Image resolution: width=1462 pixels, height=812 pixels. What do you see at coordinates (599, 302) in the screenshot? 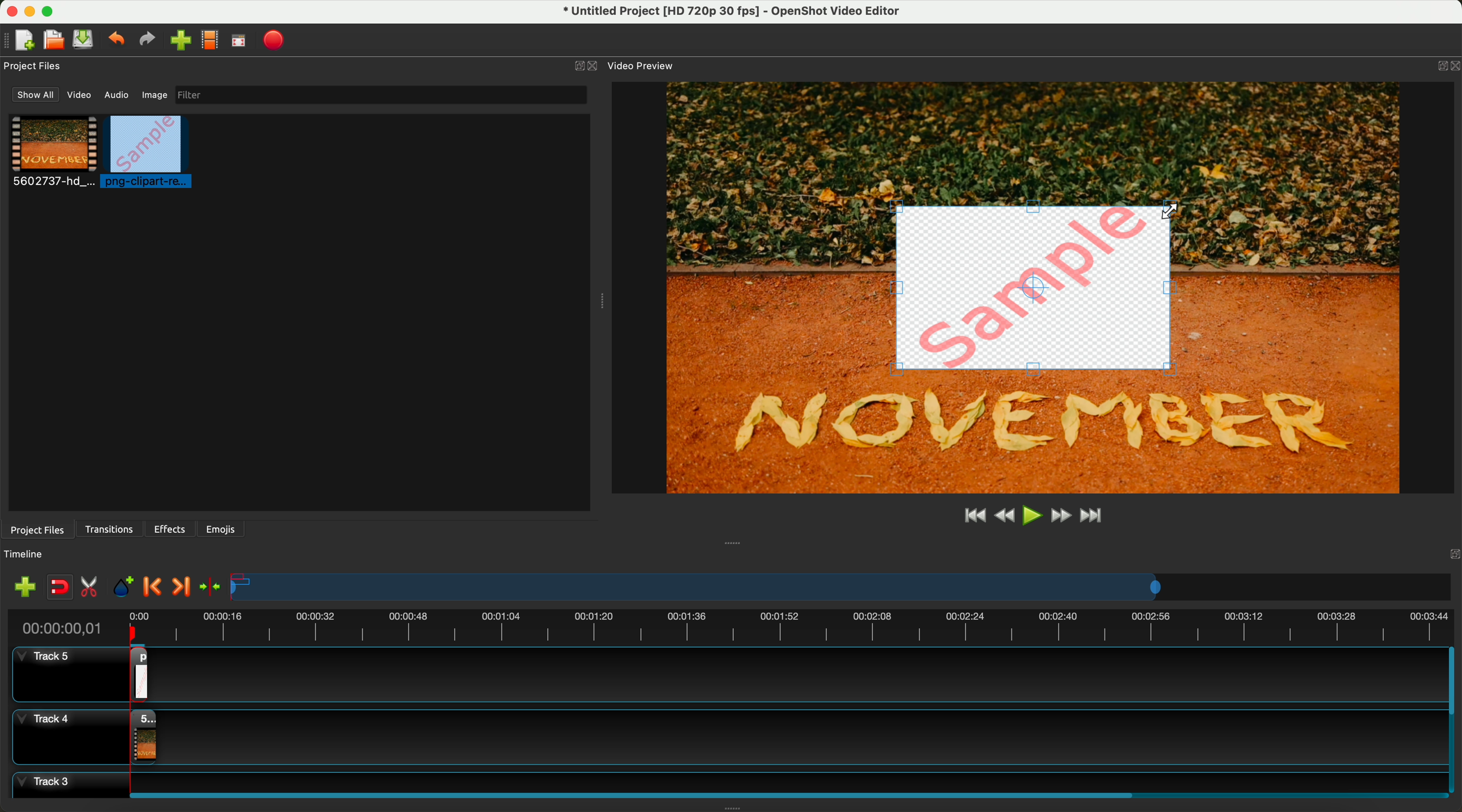
I see `Window Expanding` at bounding box center [599, 302].